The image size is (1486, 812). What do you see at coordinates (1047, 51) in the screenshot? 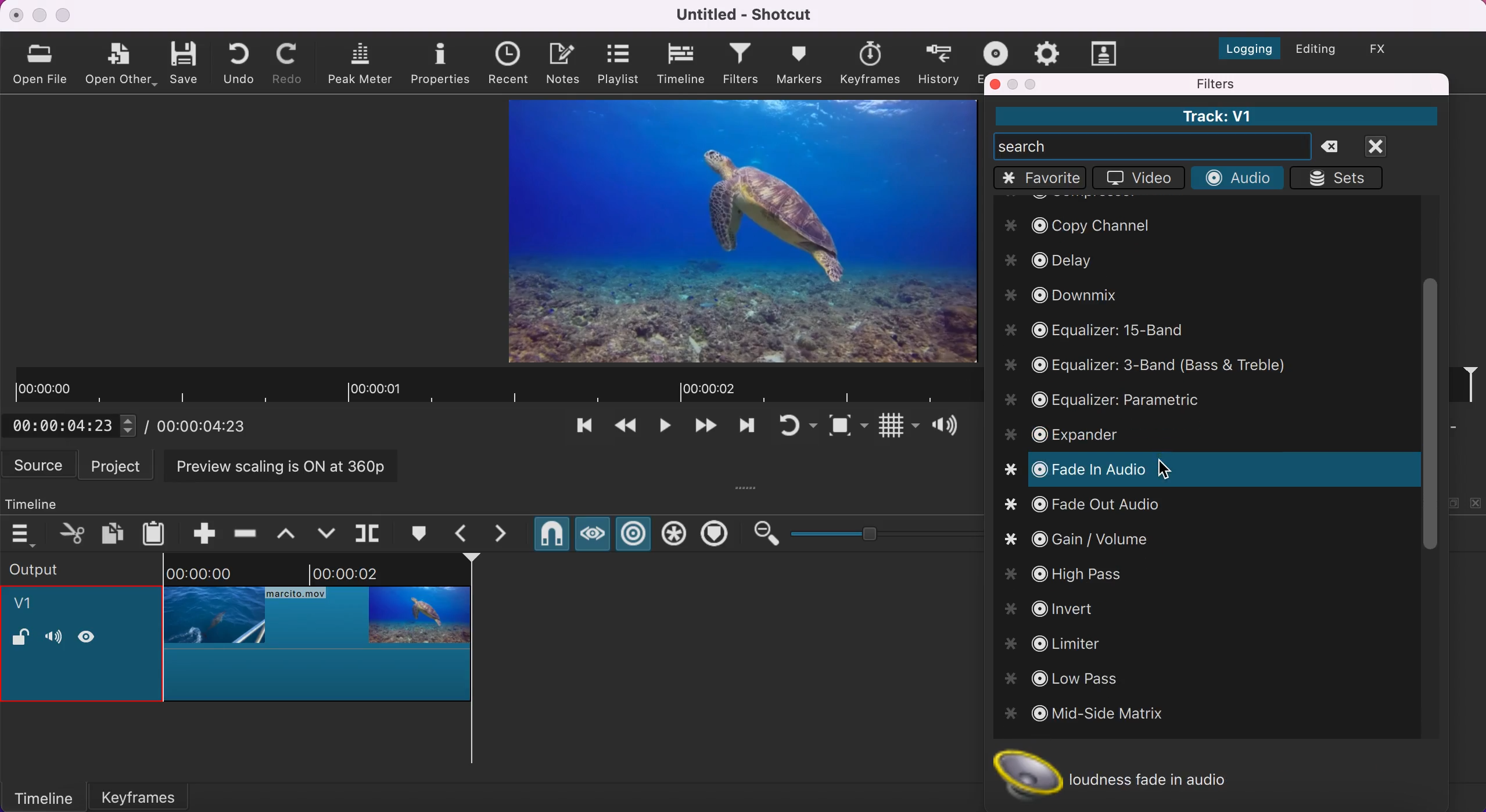
I see `jobs` at bounding box center [1047, 51].